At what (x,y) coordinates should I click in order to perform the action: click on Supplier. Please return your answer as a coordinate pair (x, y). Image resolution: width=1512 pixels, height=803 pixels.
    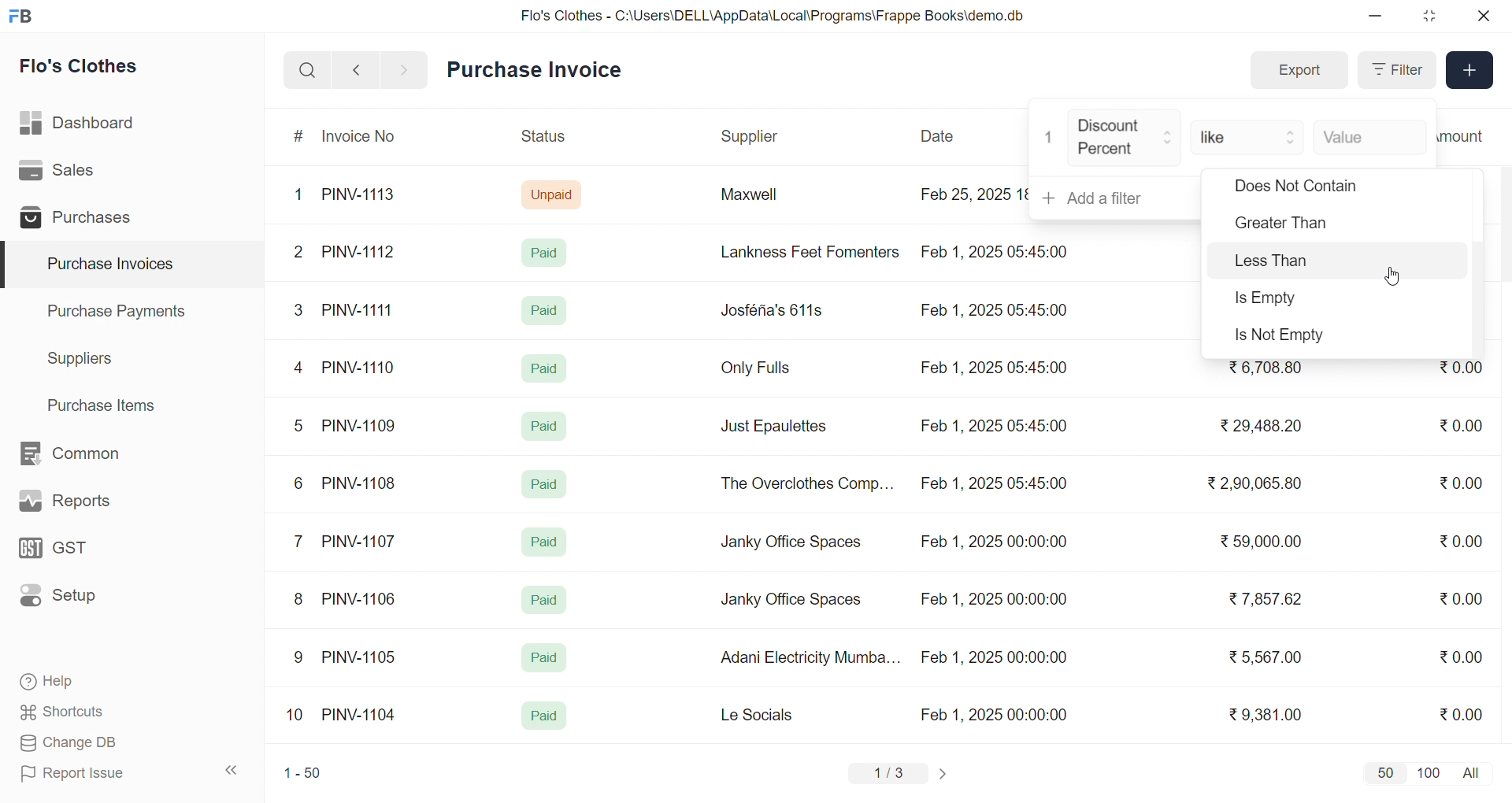
    Looking at the image, I should click on (752, 137).